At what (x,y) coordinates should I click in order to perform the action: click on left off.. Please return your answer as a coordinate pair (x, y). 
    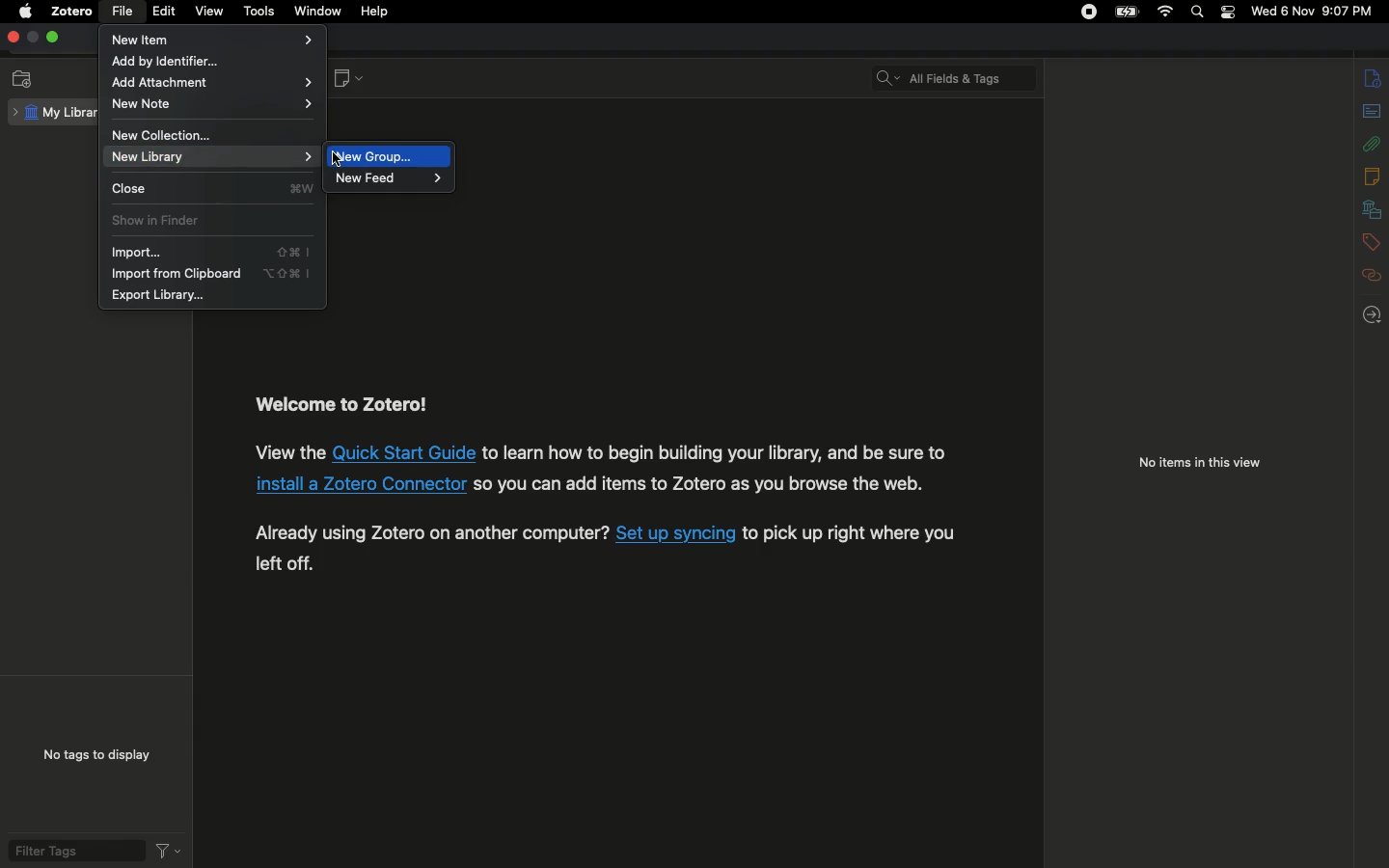
    Looking at the image, I should click on (285, 563).